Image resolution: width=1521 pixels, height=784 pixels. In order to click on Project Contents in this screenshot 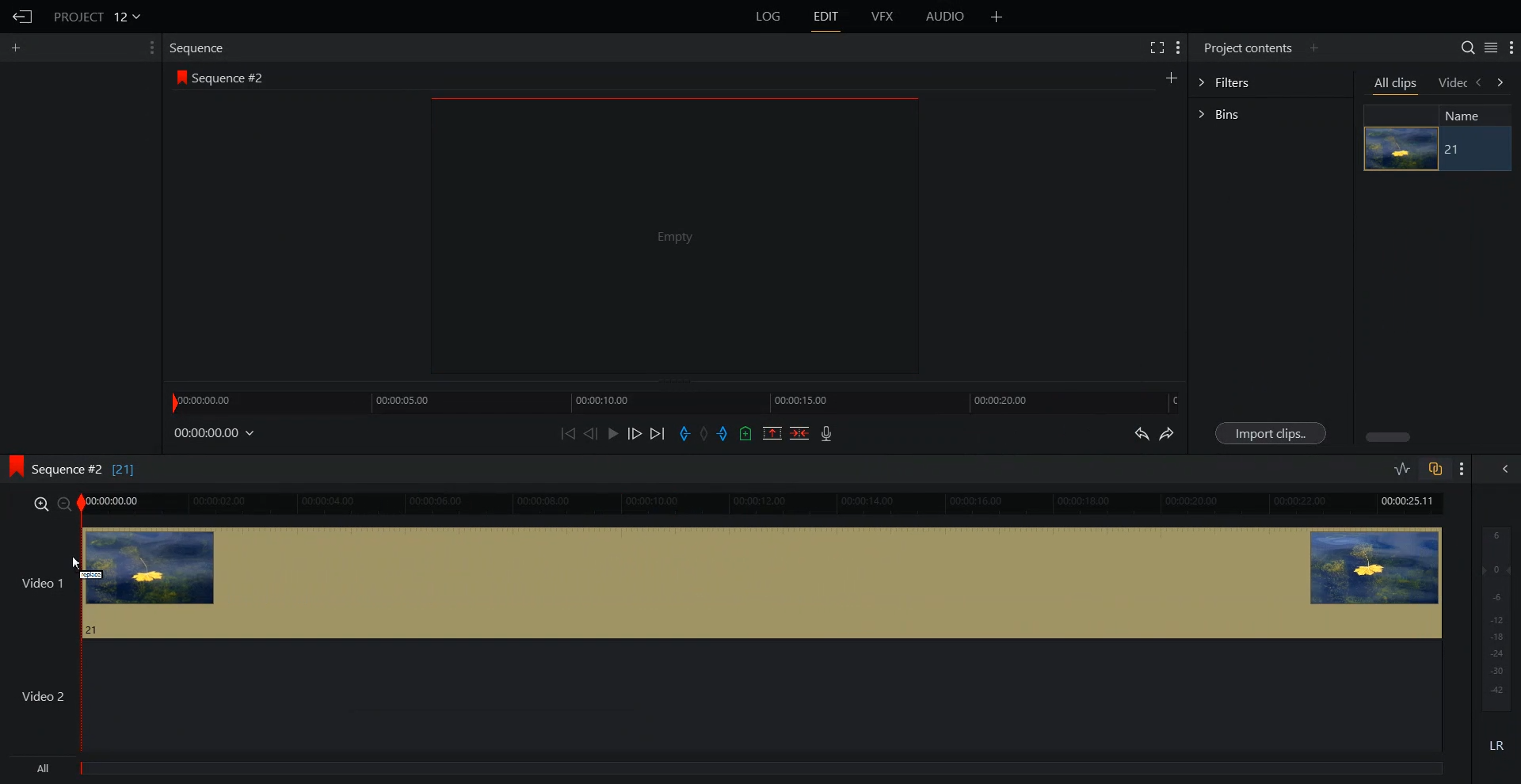, I will do `click(1248, 47)`.